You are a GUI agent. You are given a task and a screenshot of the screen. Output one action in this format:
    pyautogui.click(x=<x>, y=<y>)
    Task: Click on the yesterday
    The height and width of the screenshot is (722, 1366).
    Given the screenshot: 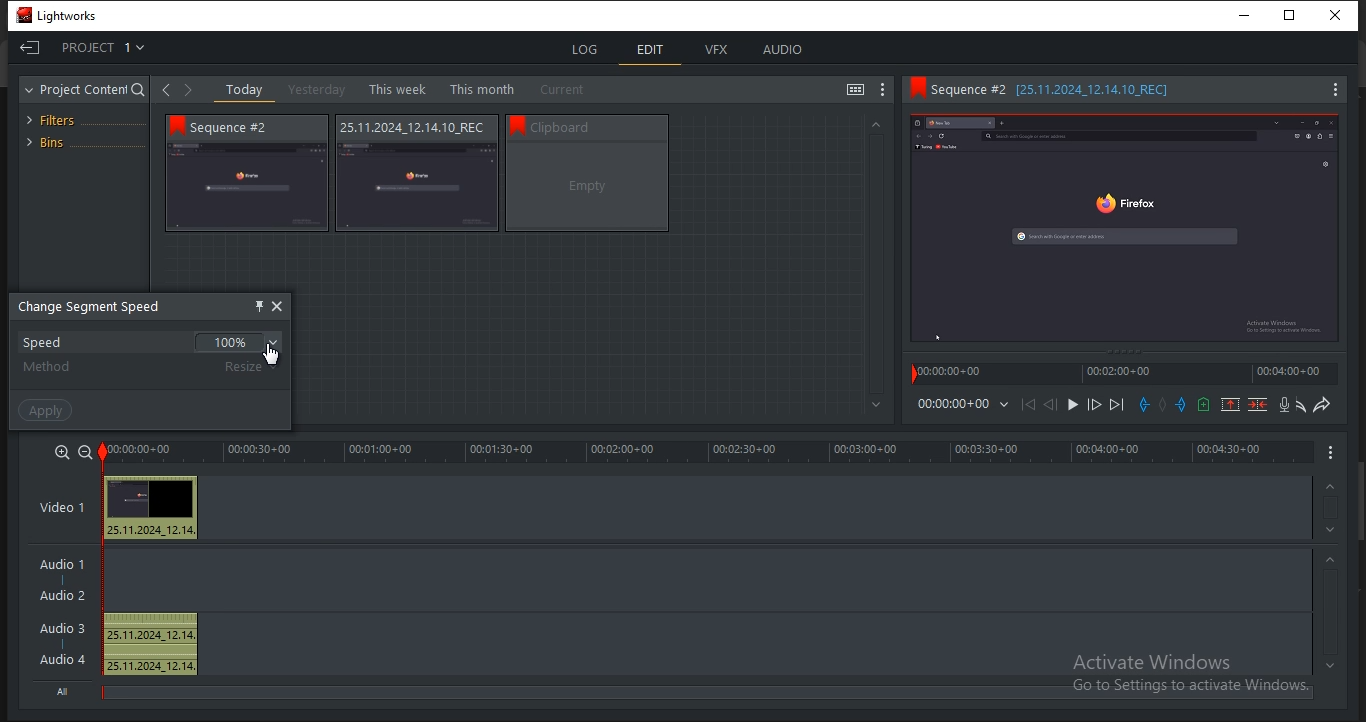 What is the action you would take?
    pyautogui.click(x=316, y=89)
    